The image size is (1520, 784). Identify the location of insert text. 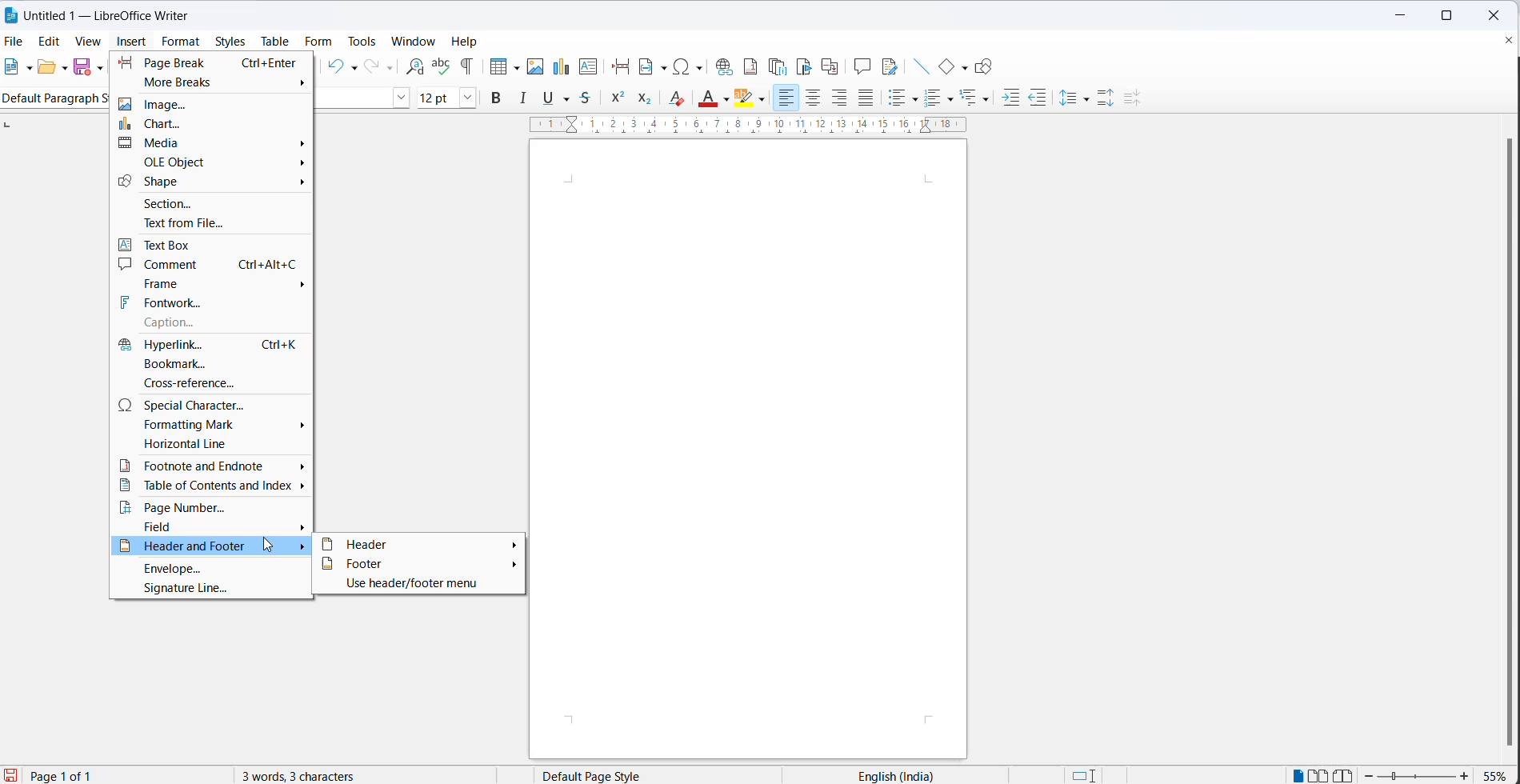
(591, 66).